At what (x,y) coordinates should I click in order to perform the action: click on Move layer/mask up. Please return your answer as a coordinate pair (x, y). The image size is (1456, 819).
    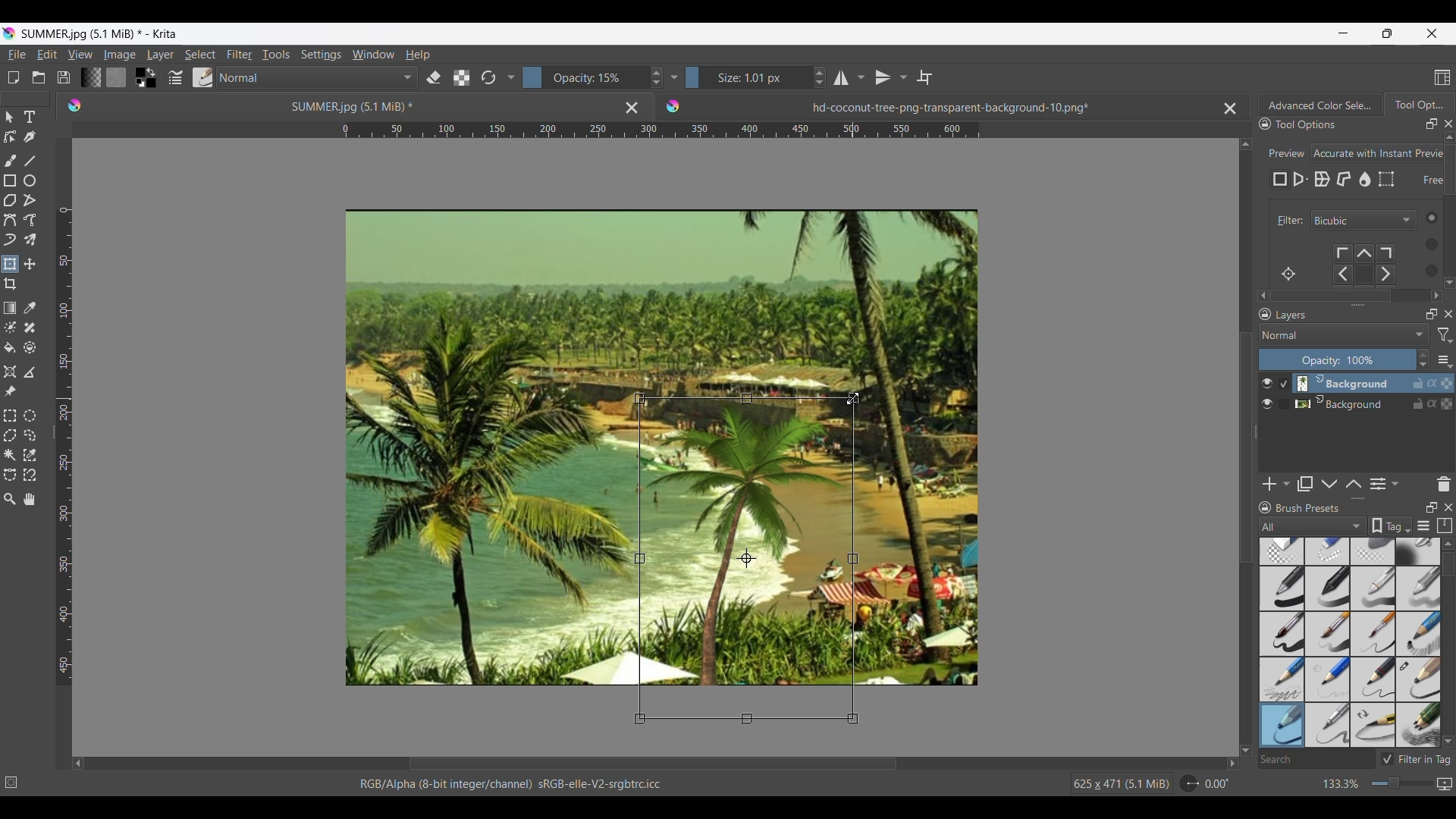
    Looking at the image, I should click on (1354, 484).